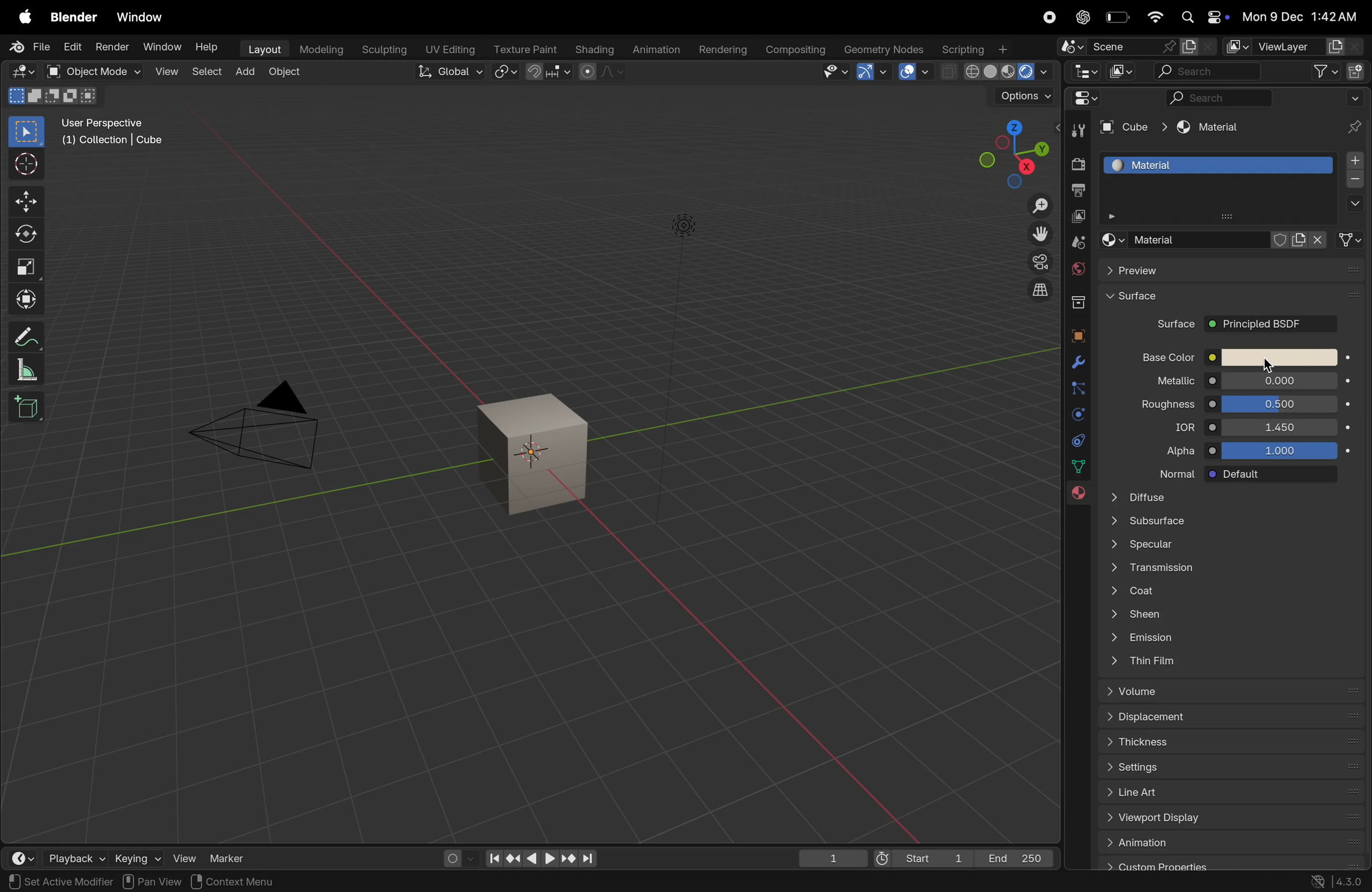  What do you see at coordinates (872, 71) in the screenshot?
I see `show gimzo` at bounding box center [872, 71].